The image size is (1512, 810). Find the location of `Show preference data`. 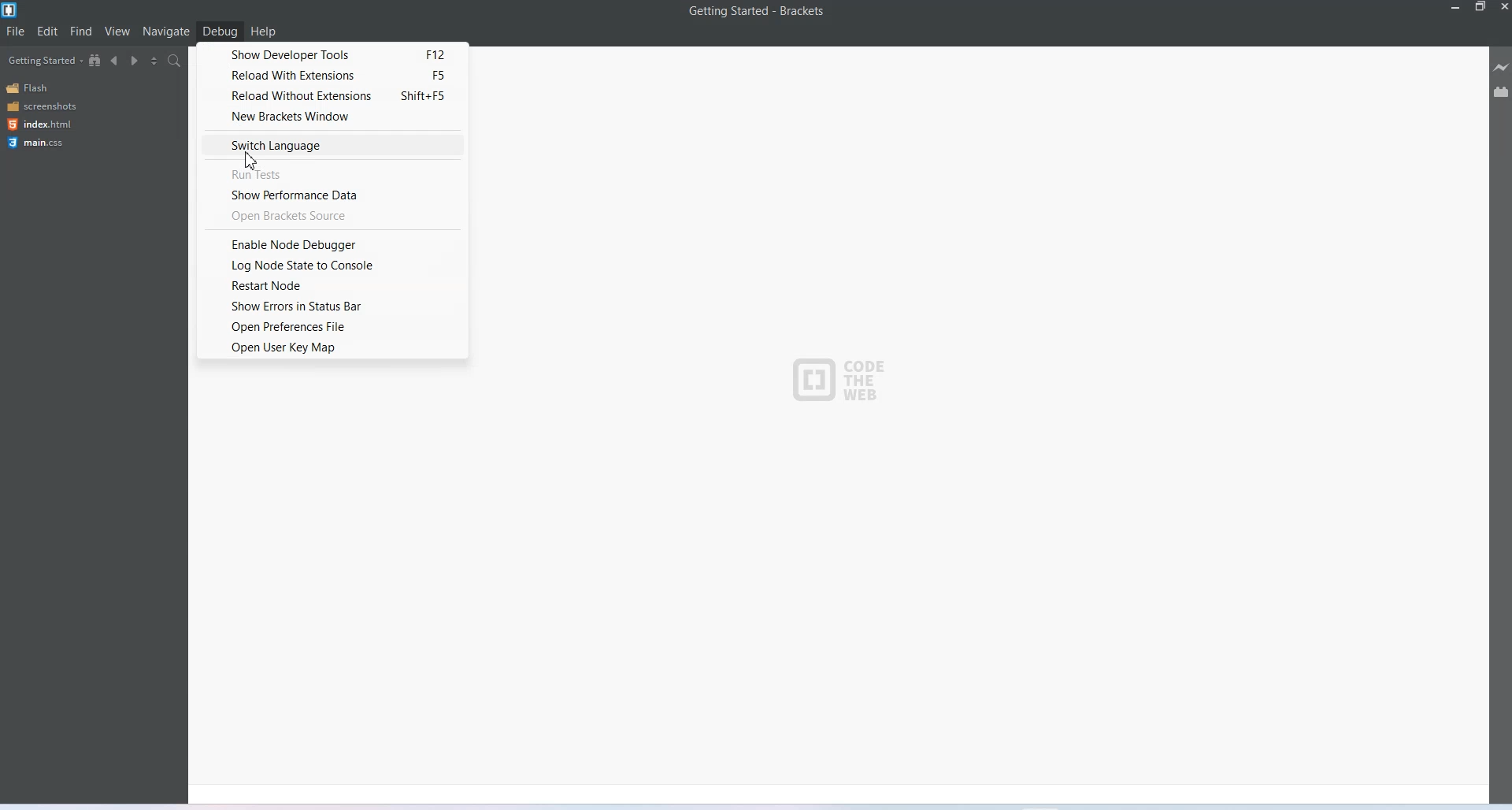

Show preference data is located at coordinates (334, 195).